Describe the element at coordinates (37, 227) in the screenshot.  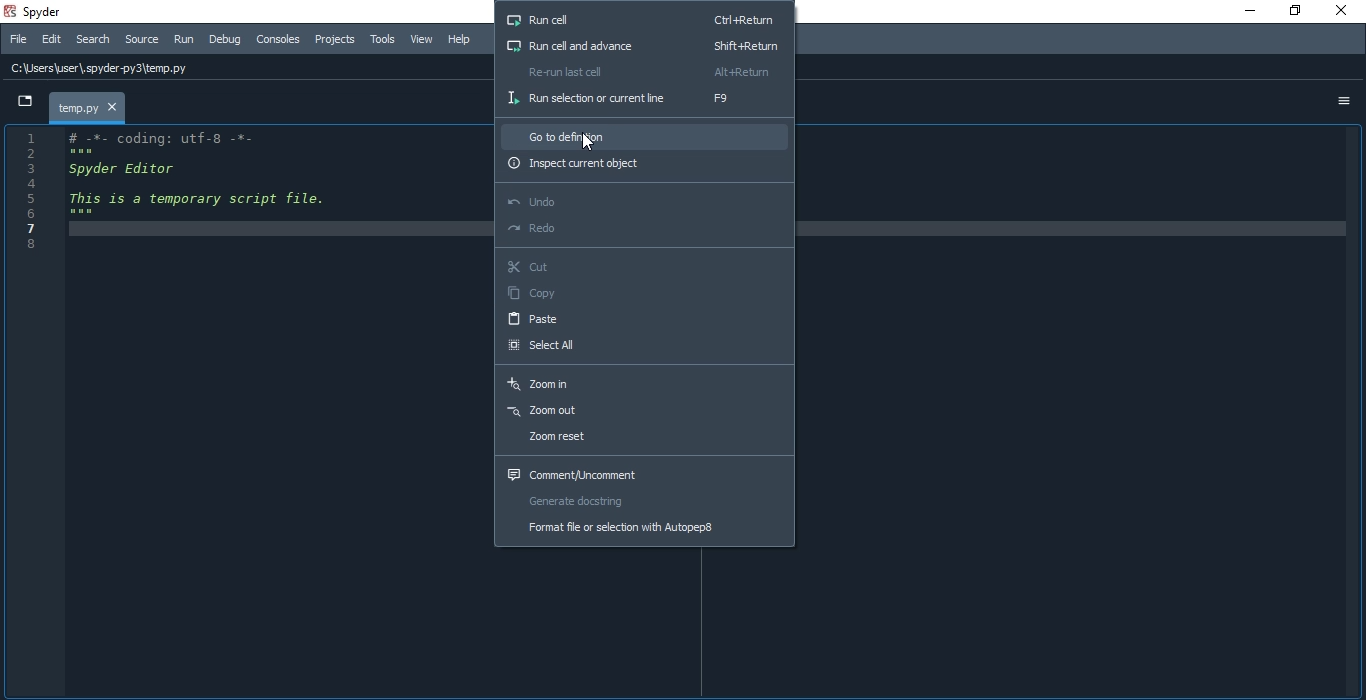
I see `7` at that location.